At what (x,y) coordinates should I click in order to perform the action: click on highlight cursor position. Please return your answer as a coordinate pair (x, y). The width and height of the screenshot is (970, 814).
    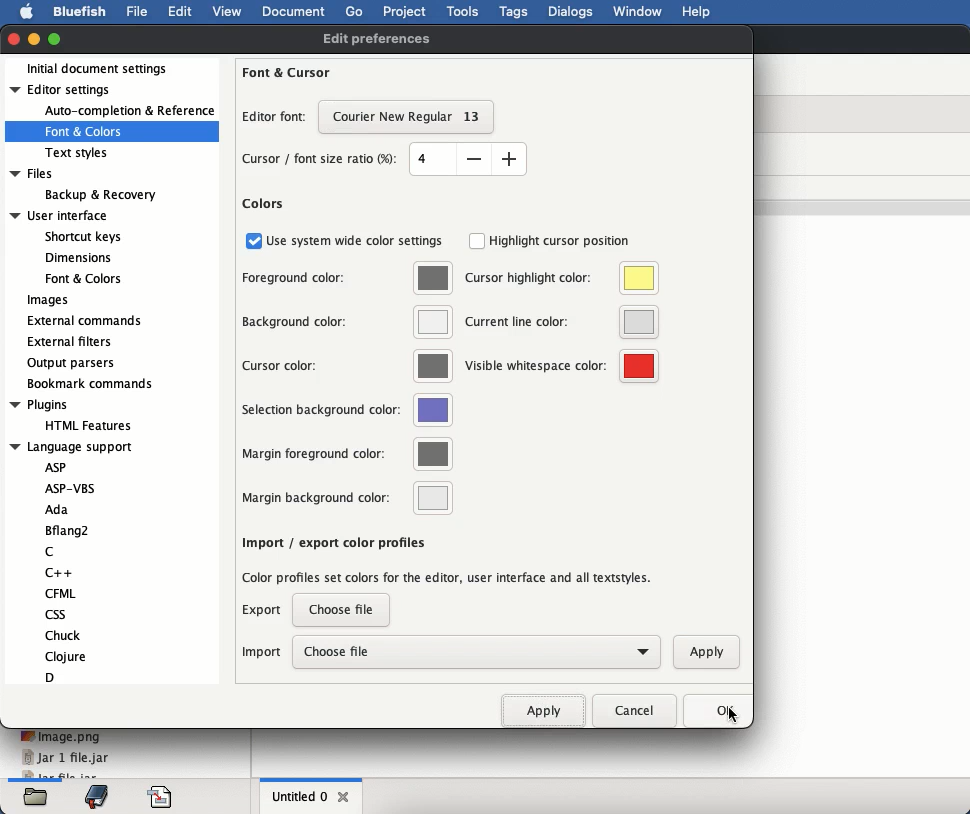
    Looking at the image, I should click on (550, 241).